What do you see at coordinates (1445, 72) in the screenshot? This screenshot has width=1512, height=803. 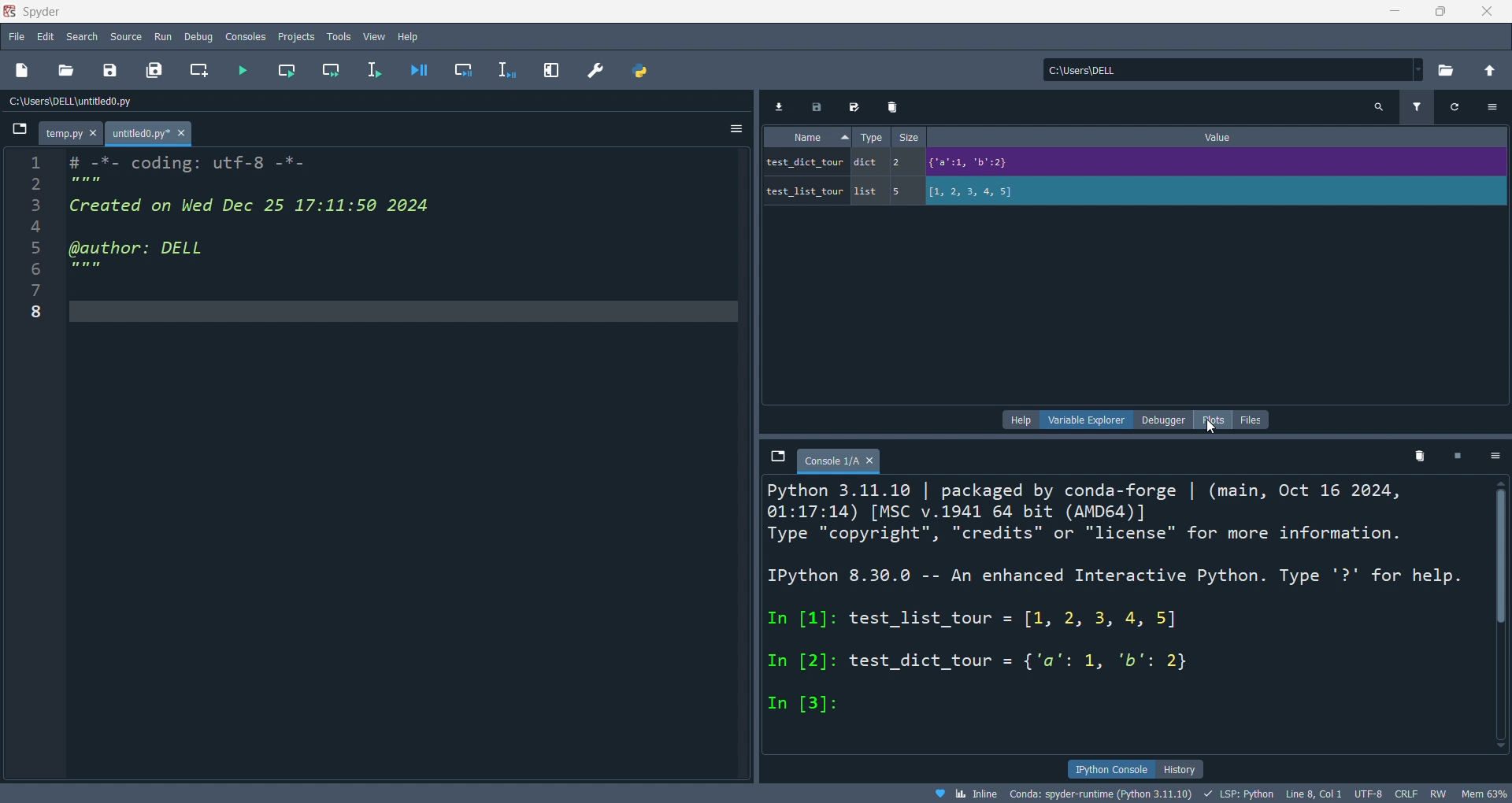 I see `open folder` at bounding box center [1445, 72].